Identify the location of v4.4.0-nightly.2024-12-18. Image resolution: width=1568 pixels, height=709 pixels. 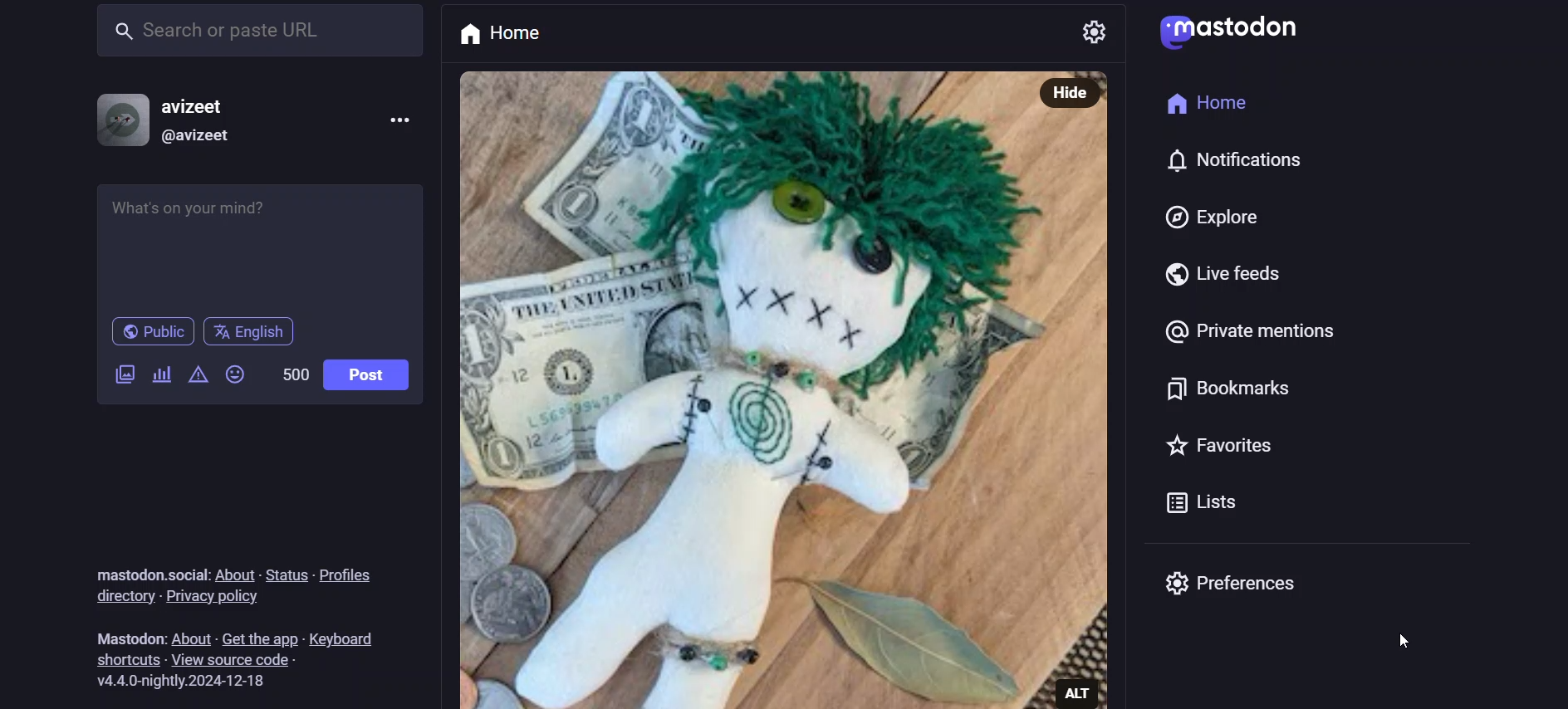
(180, 682).